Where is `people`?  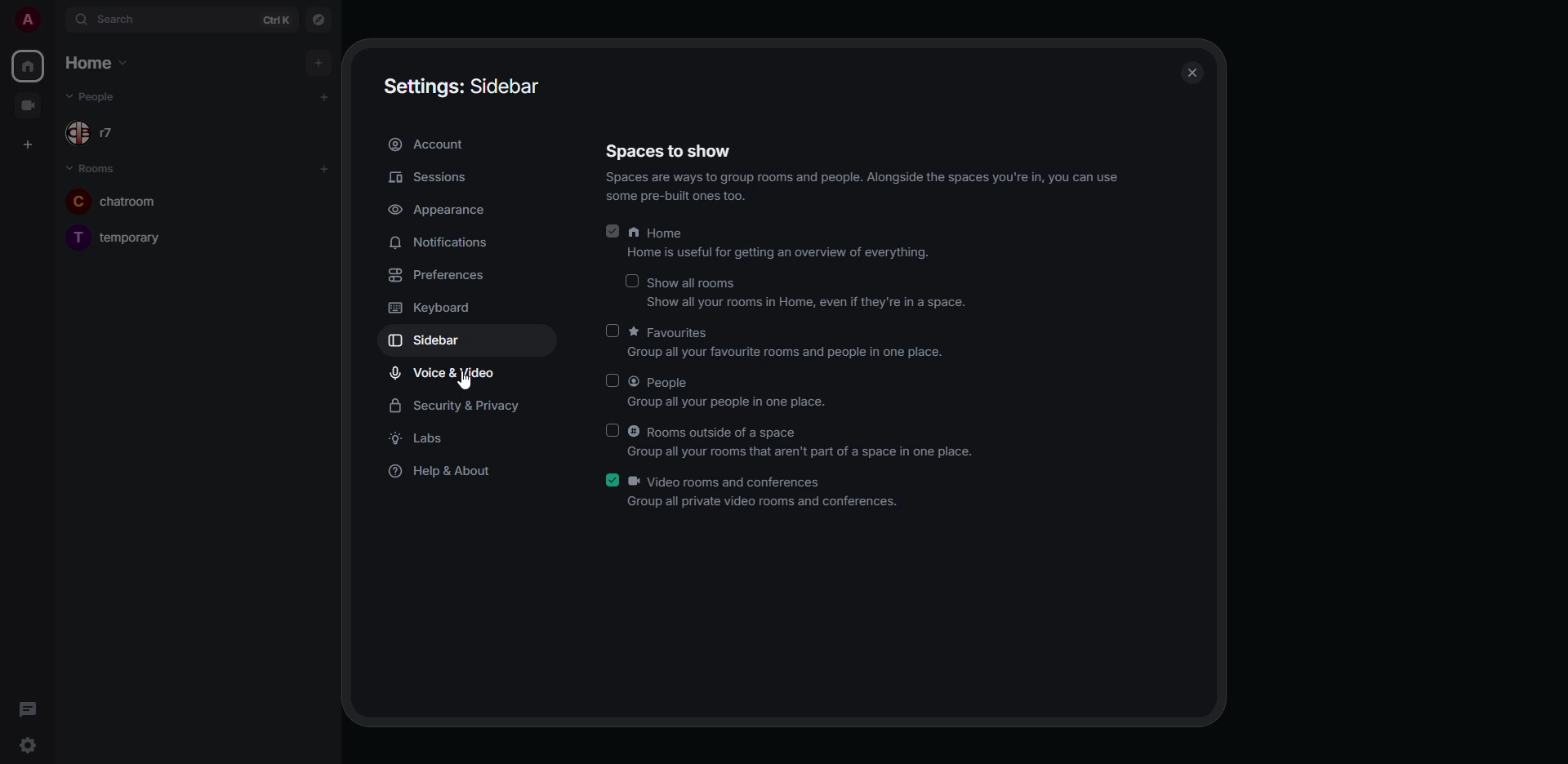
people is located at coordinates (105, 133).